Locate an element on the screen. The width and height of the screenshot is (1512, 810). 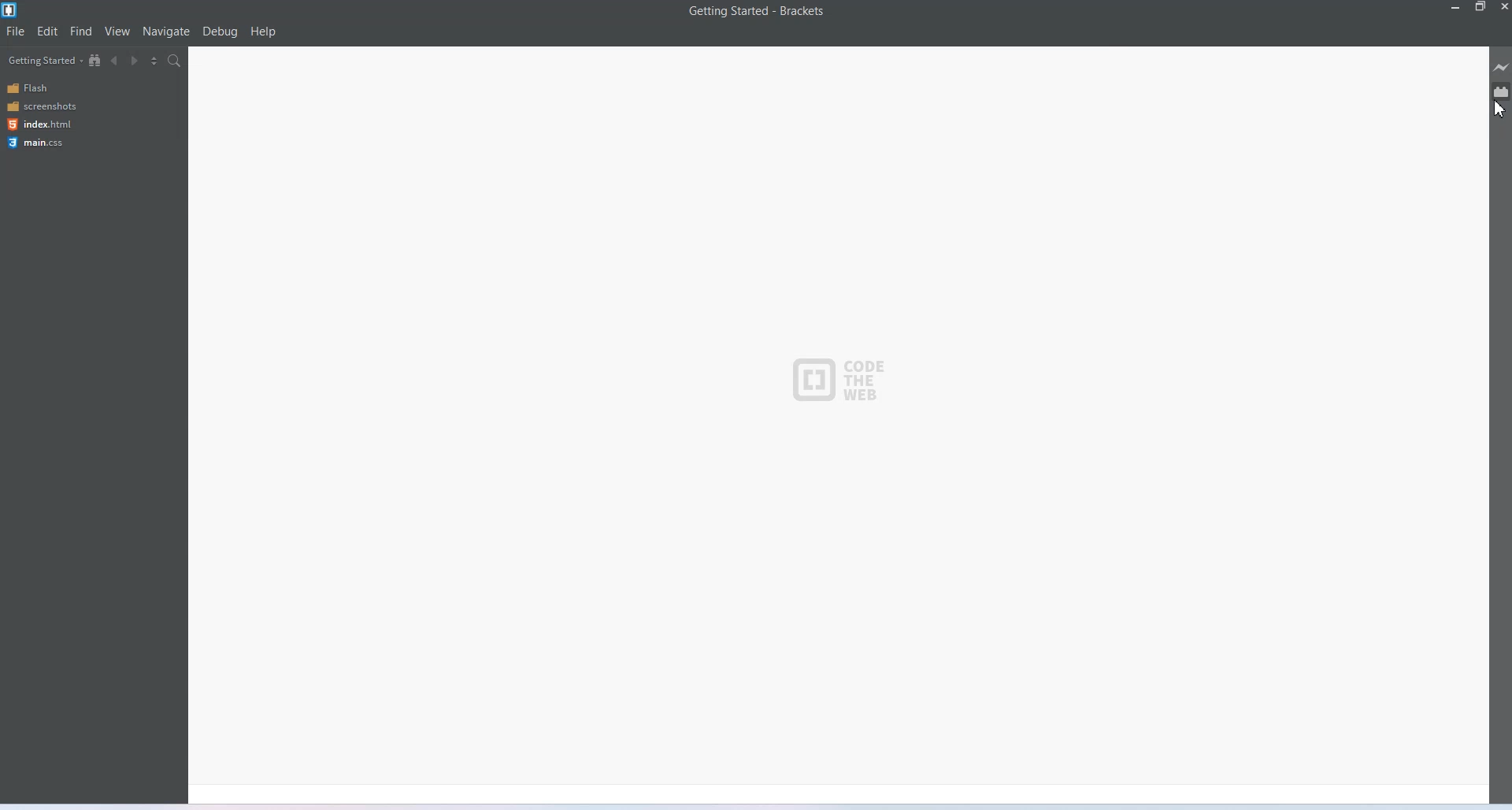
Show in file Tree is located at coordinates (96, 61).